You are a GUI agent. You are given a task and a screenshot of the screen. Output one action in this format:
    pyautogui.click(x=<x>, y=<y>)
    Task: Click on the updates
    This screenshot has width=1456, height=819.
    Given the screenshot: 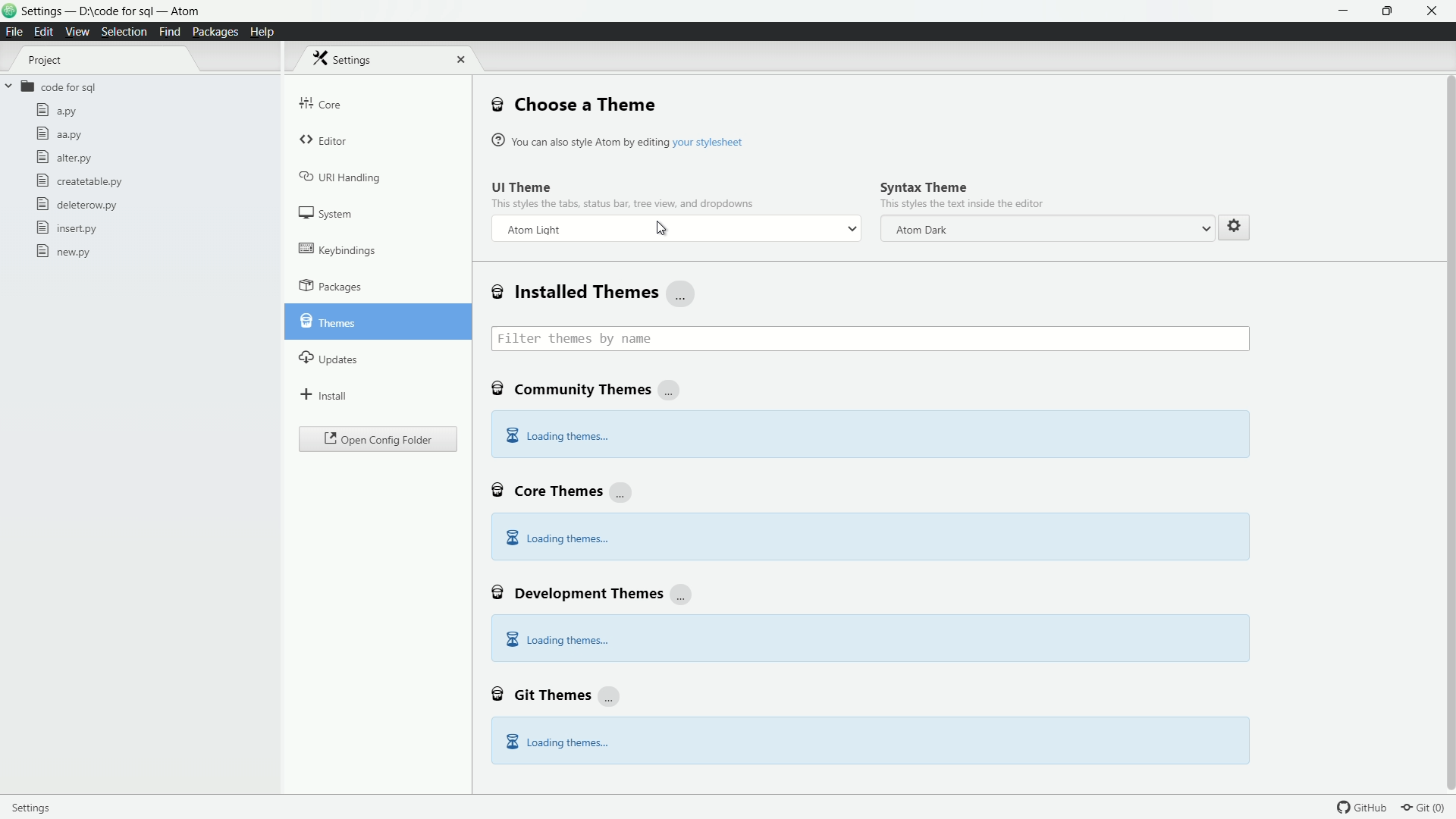 What is the action you would take?
    pyautogui.click(x=329, y=356)
    